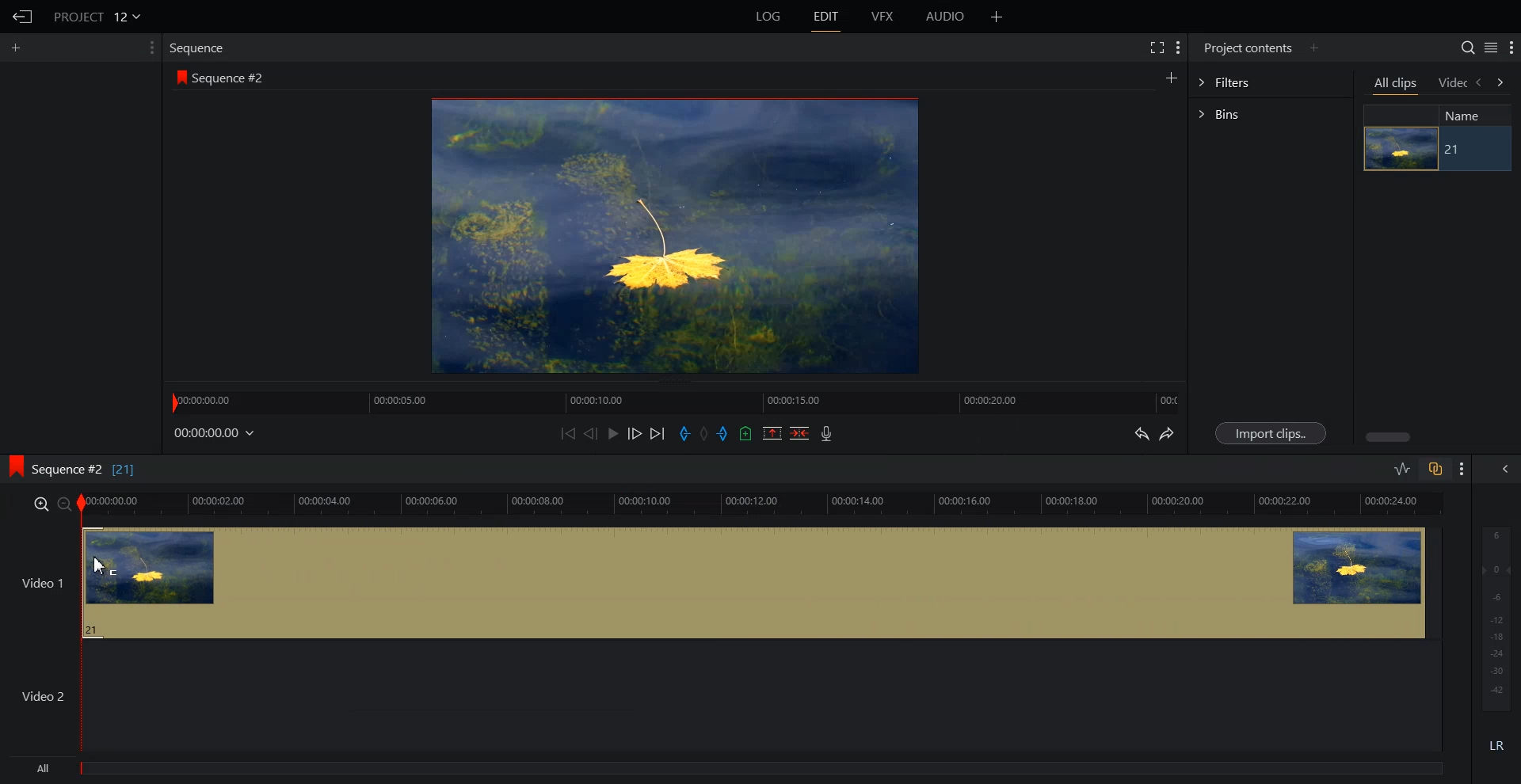 The height and width of the screenshot is (784, 1521). What do you see at coordinates (1503, 84) in the screenshot?
I see `forward` at bounding box center [1503, 84].